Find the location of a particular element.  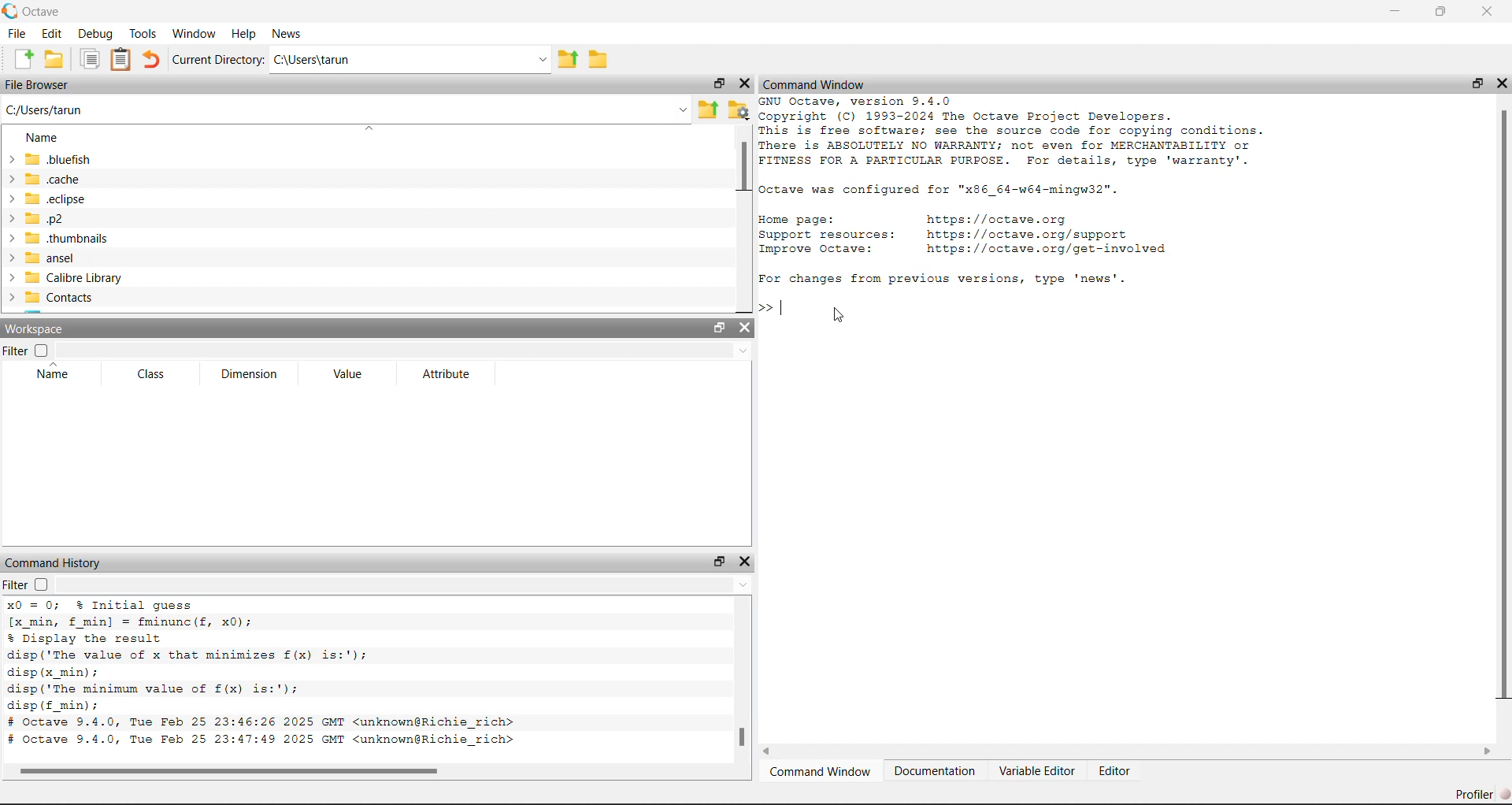

Cursor is located at coordinates (843, 316).